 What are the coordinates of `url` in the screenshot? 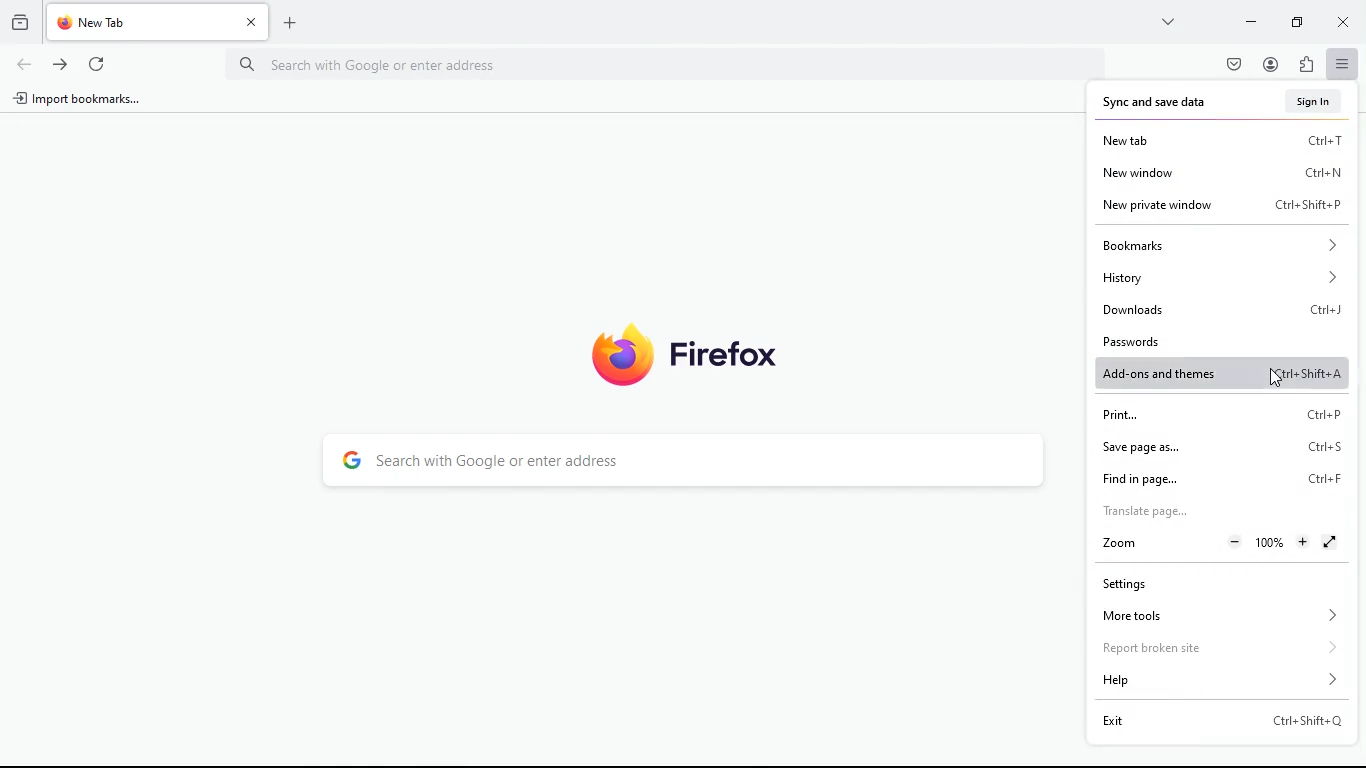 It's located at (398, 64).